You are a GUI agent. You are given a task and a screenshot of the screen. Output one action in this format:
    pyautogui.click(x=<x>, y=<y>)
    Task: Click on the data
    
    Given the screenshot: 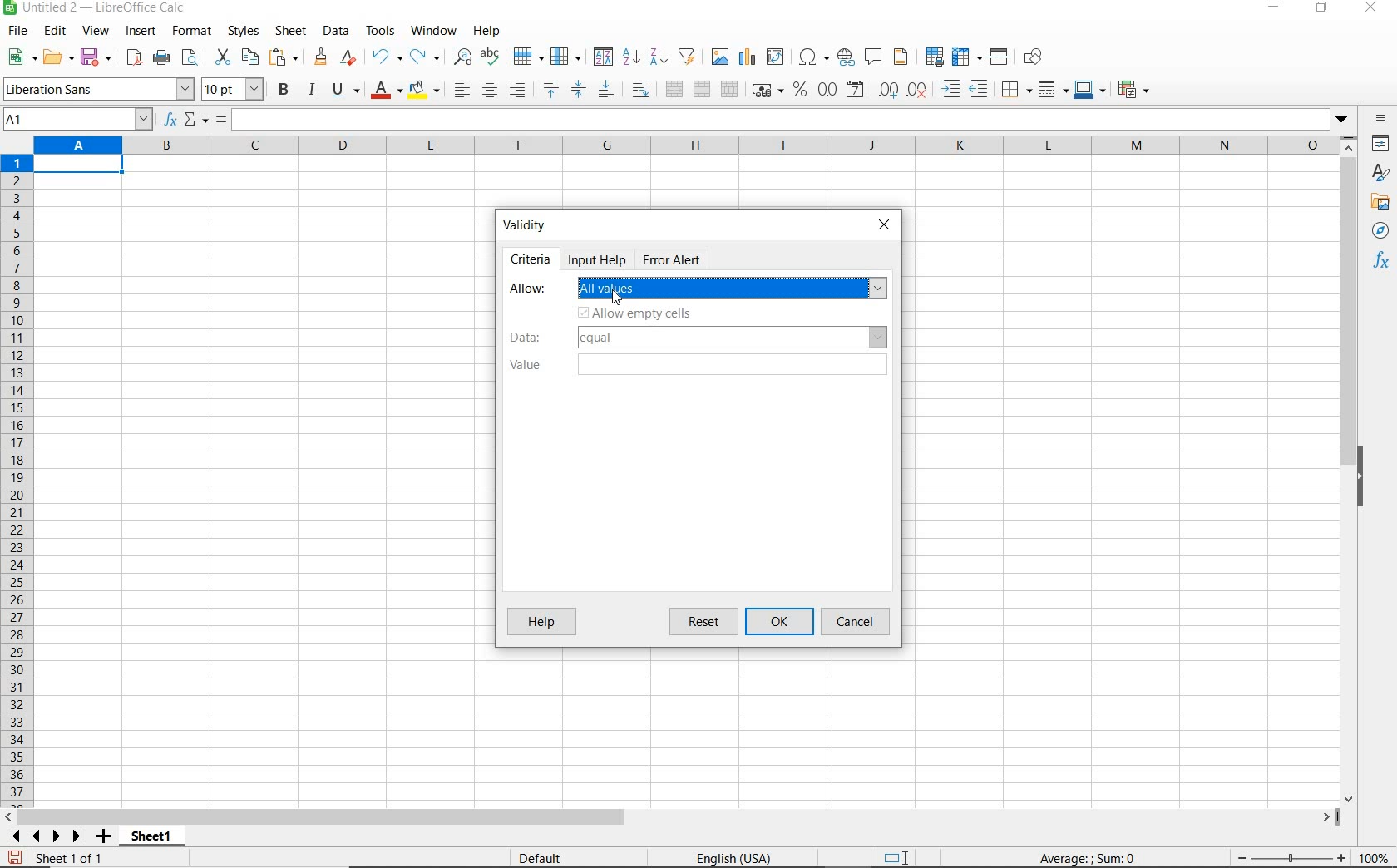 What is the action you would take?
    pyautogui.click(x=335, y=30)
    